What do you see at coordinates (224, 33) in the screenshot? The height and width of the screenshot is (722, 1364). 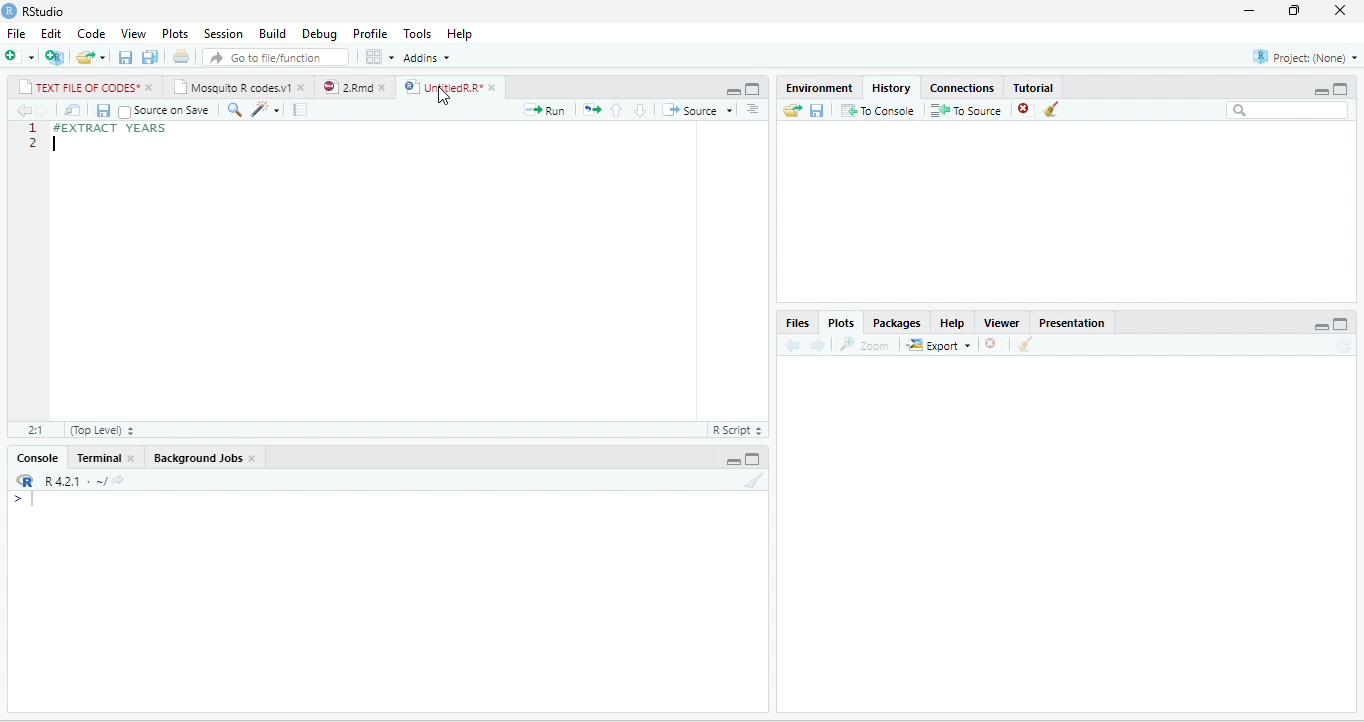 I see `Session` at bounding box center [224, 33].